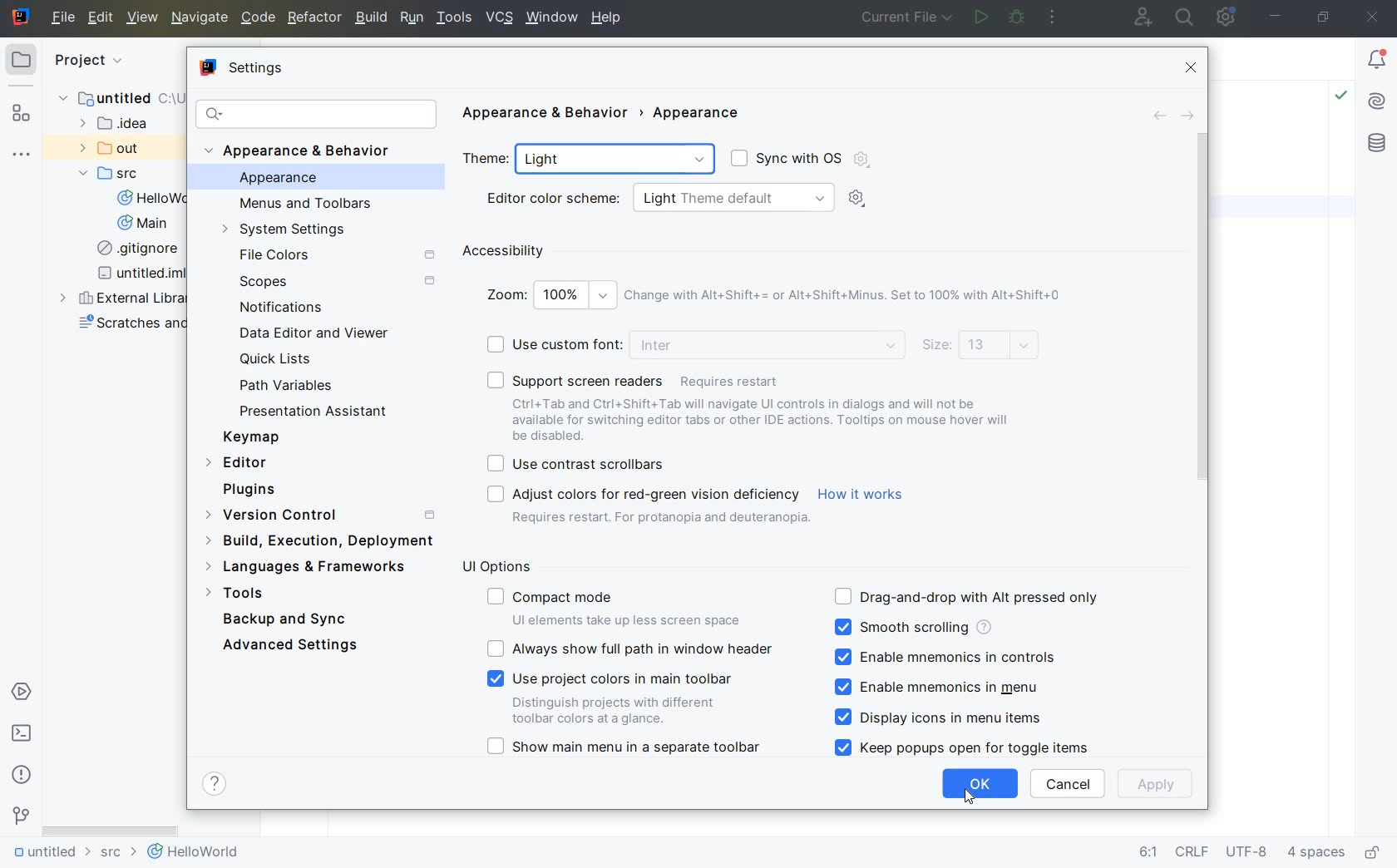 Image resolution: width=1397 pixels, height=868 pixels. Describe the element at coordinates (336, 282) in the screenshot. I see `SCOPES` at that location.